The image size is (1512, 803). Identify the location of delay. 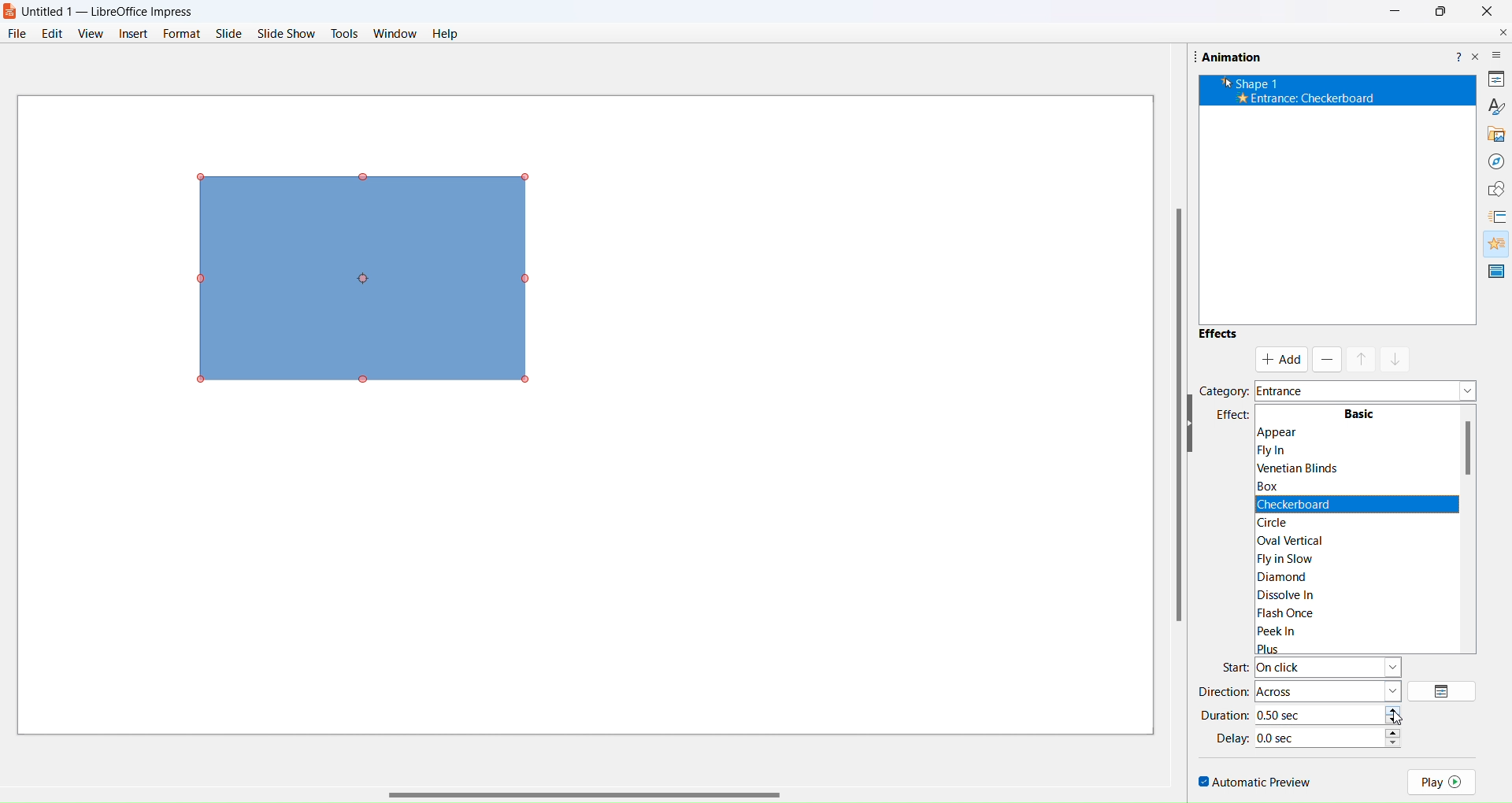
(1234, 738).